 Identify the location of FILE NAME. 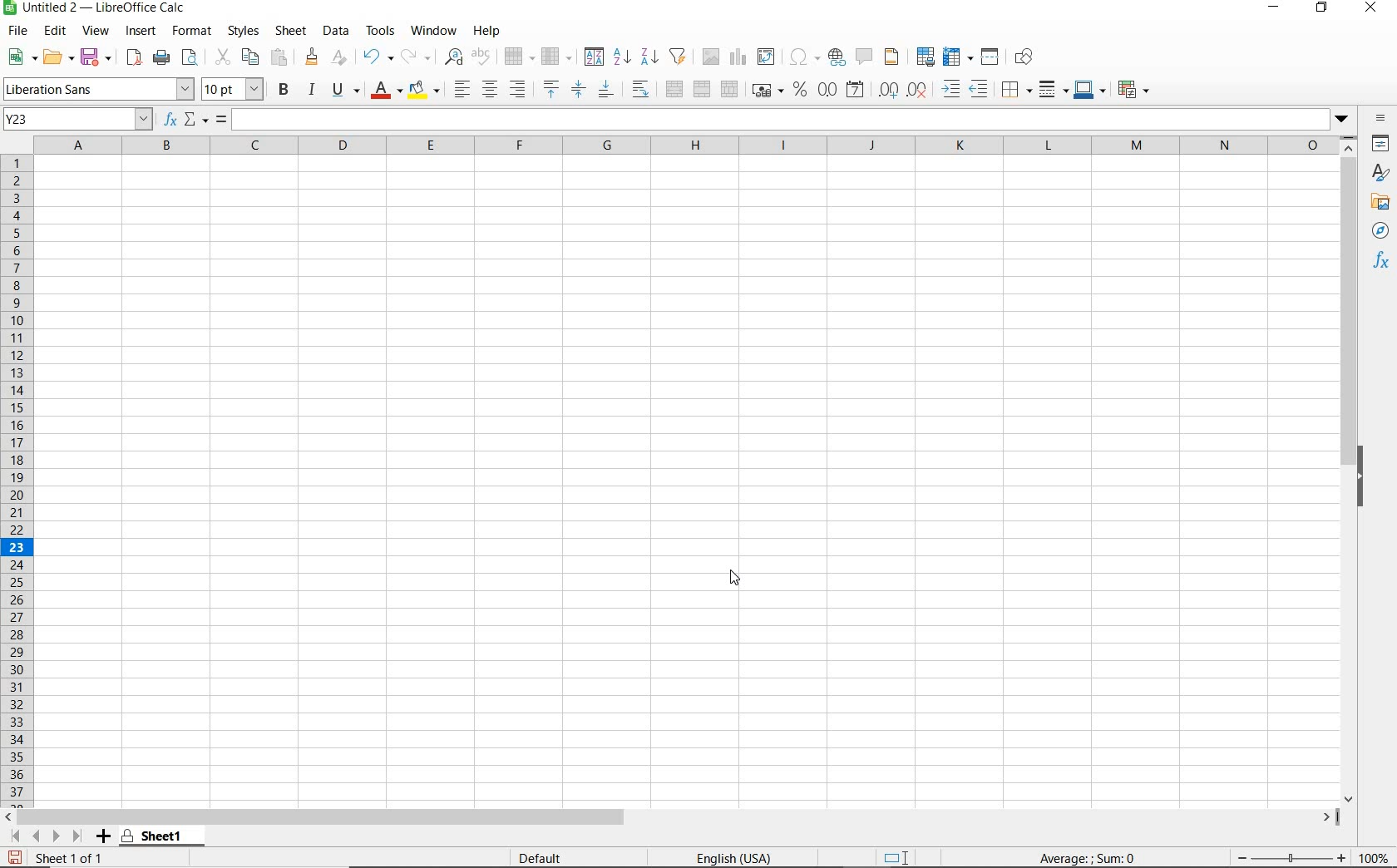
(97, 9).